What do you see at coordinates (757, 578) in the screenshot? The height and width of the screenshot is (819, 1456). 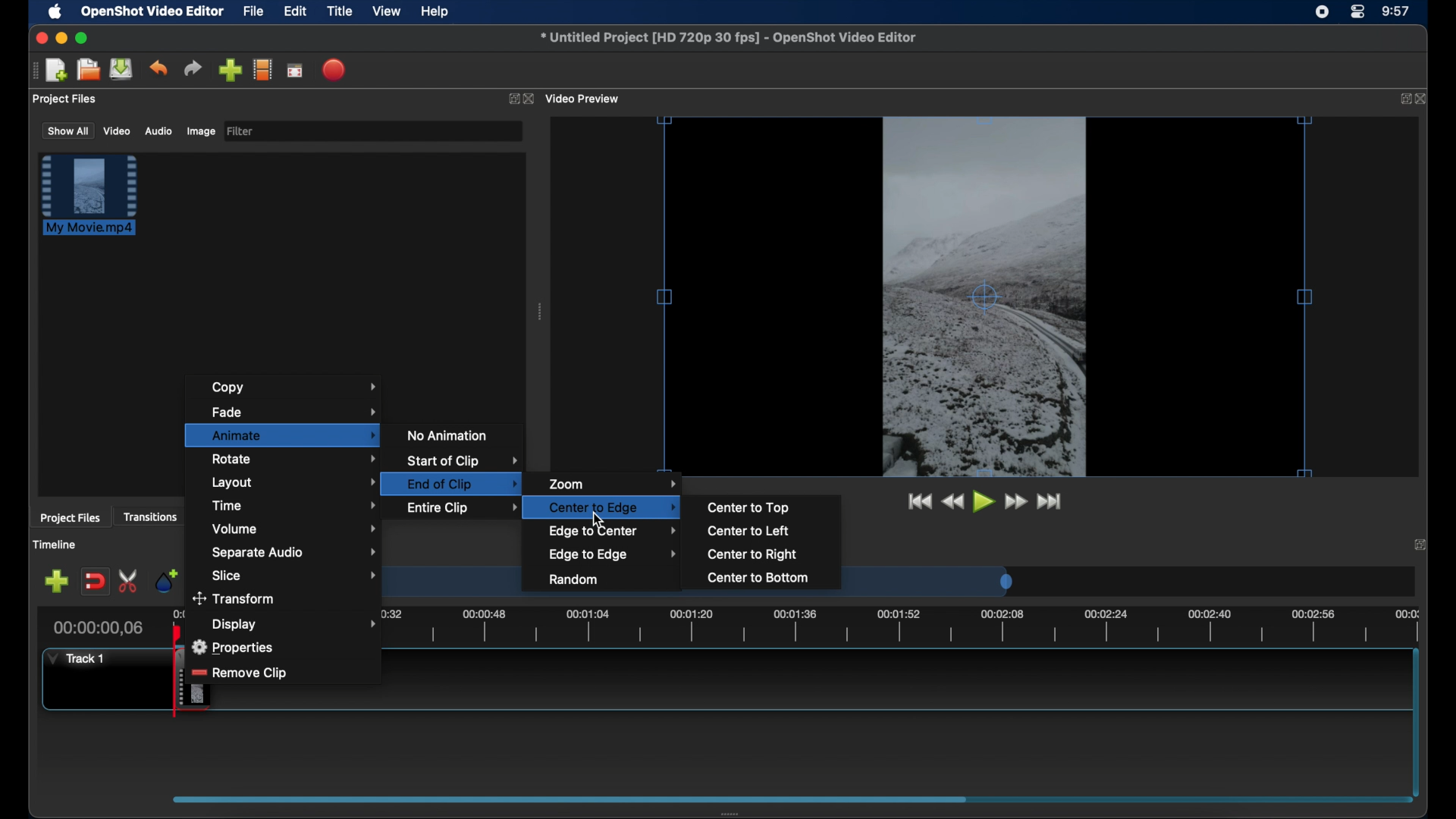 I see `center to bottom` at bounding box center [757, 578].